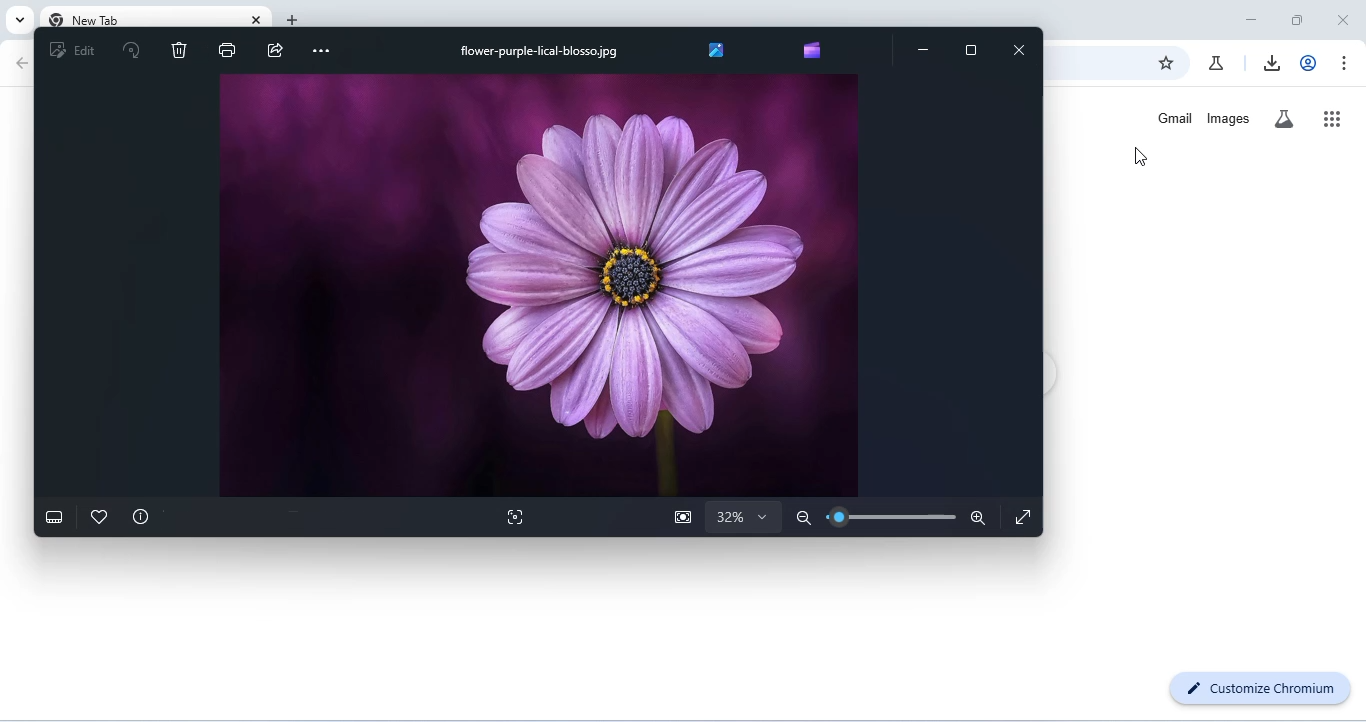 The image size is (1366, 722). What do you see at coordinates (20, 18) in the screenshot?
I see `search tabs` at bounding box center [20, 18].